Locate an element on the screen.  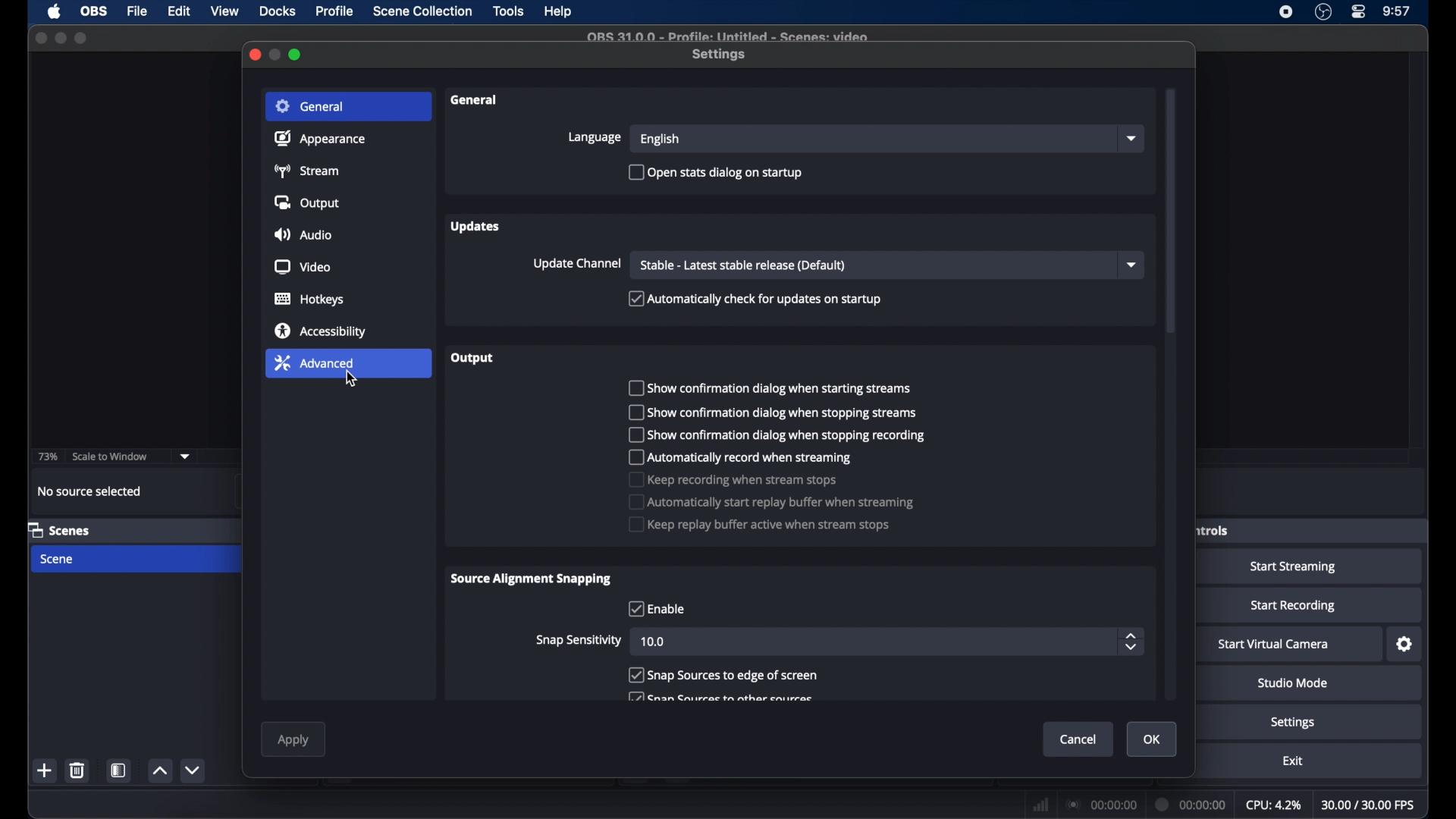
updates is located at coordinates (476, 226).